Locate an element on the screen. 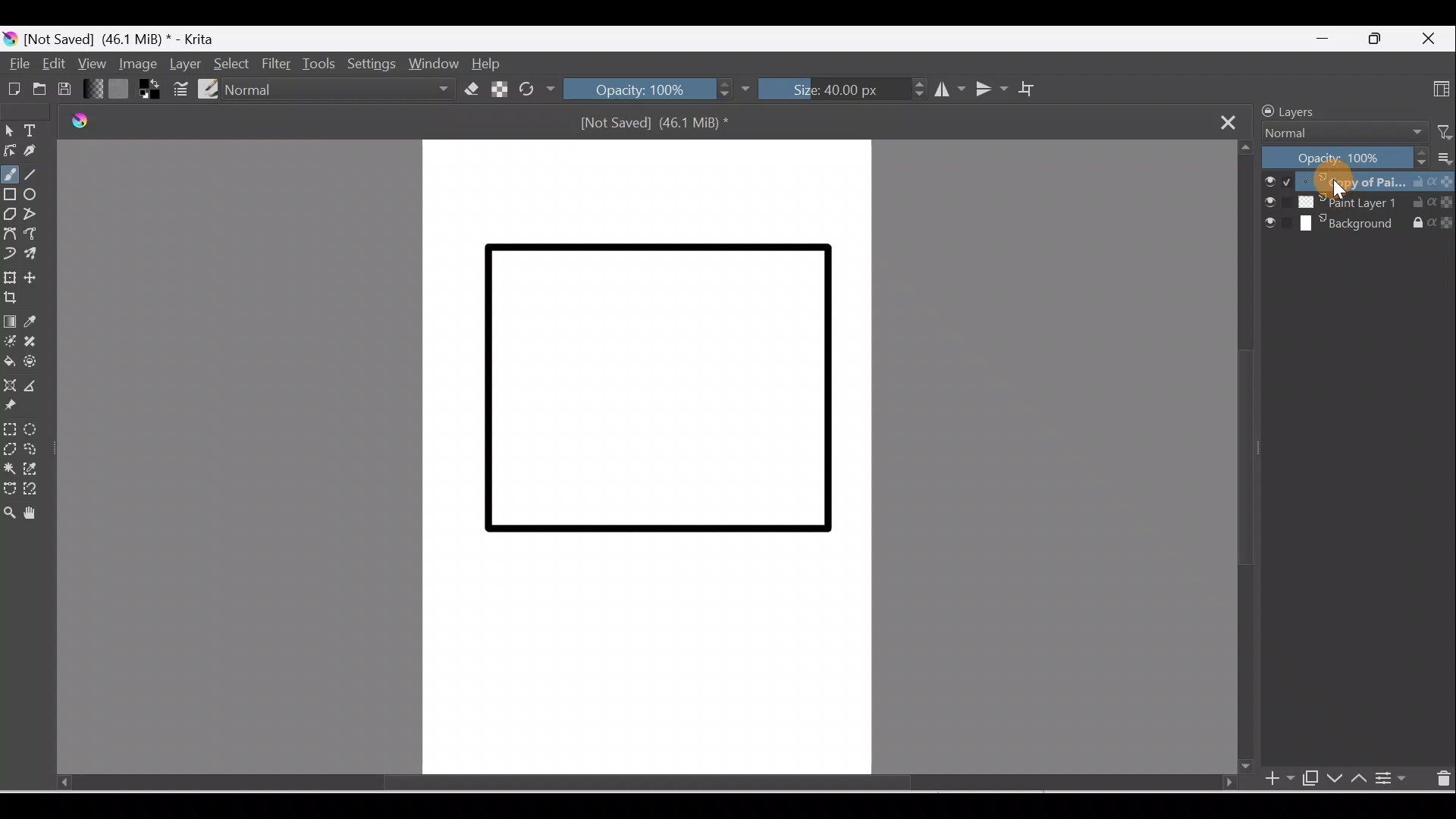 The image size is (1456, 819). Freehand path tool is located at coordinates (38, 237).